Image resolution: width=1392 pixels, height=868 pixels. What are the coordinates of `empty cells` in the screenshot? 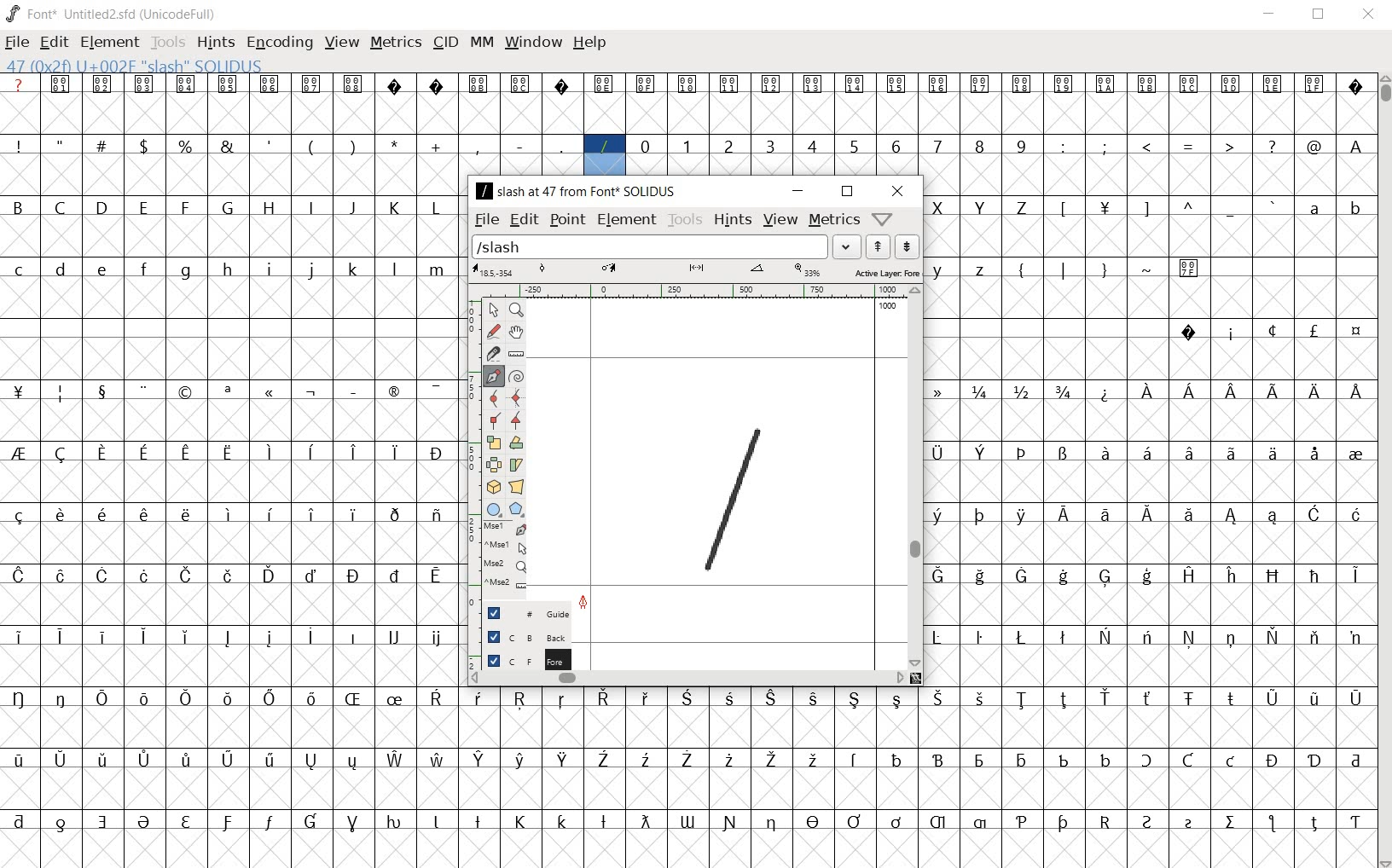 It's located at (1150, 482).